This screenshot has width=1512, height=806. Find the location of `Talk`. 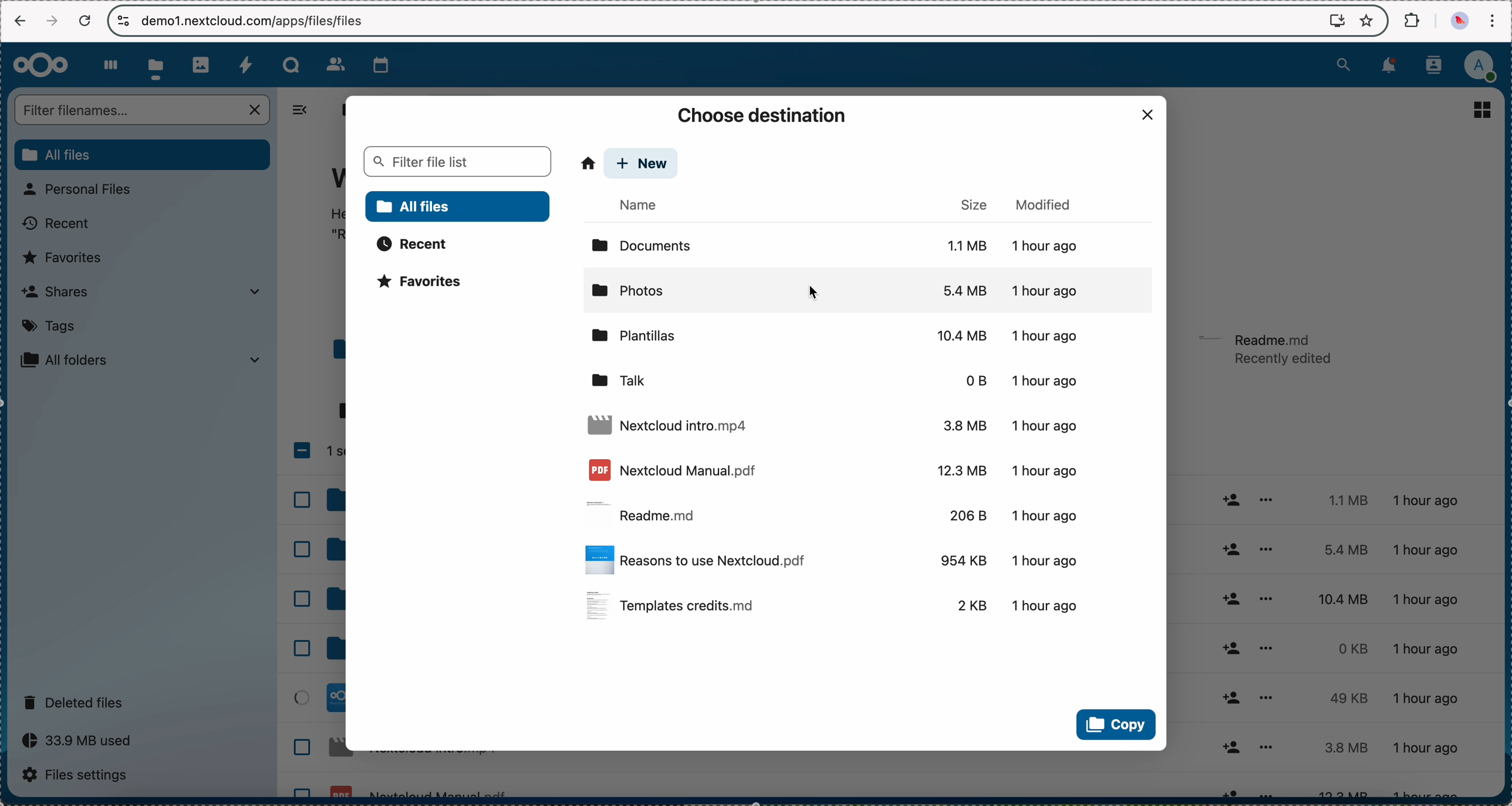

Talk is located at coordinates (838, 377).